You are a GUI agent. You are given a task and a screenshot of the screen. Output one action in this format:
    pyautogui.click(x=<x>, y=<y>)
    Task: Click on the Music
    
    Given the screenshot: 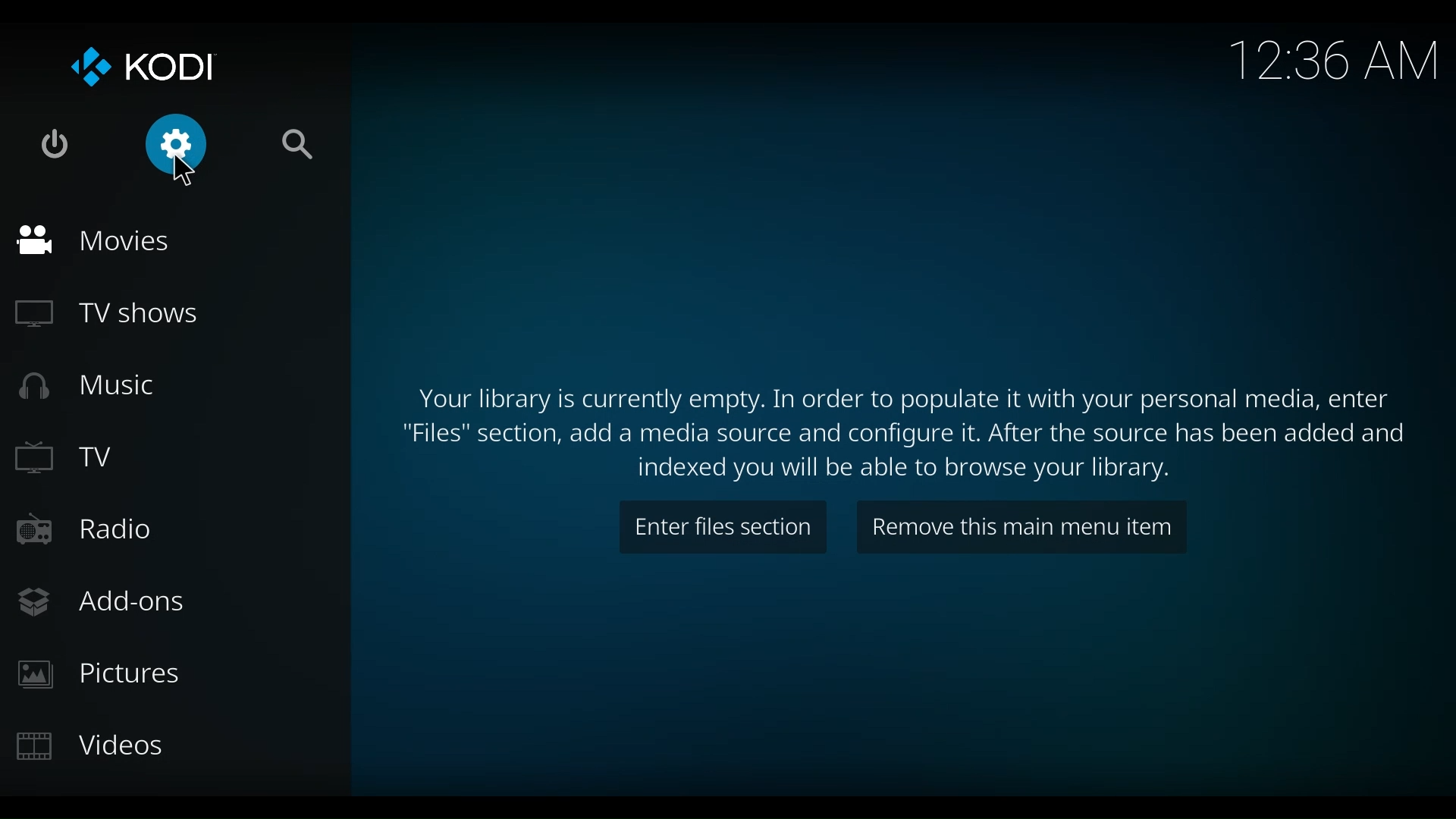 What is the action you would take?
    pyautogui.click(x=90, y=387)
    